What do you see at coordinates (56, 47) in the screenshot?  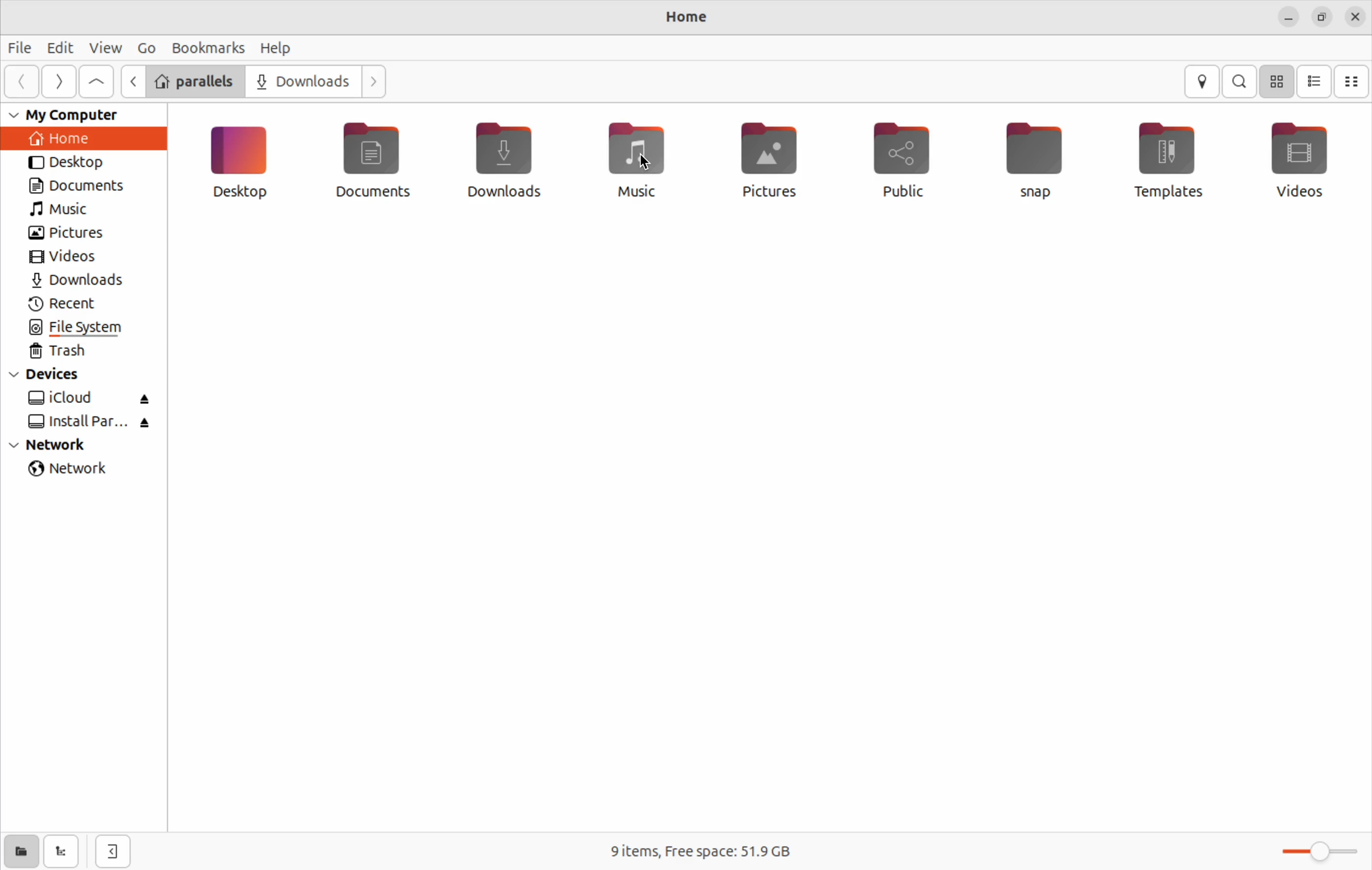 I see `Edit` at bounding box center [56, 47].